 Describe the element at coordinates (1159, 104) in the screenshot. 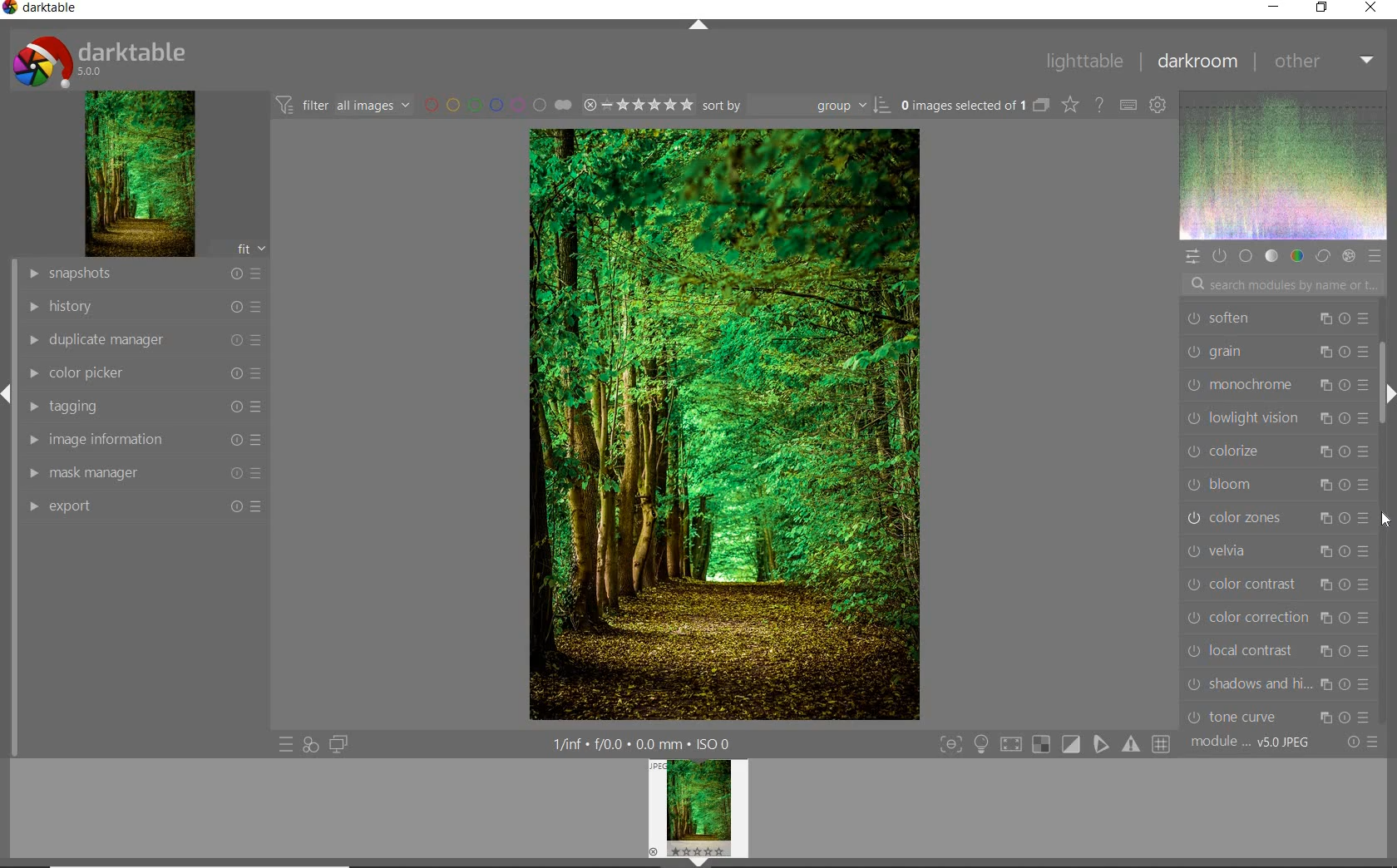

I see `SHOW GLOBAL PREFERENCE` at that location.